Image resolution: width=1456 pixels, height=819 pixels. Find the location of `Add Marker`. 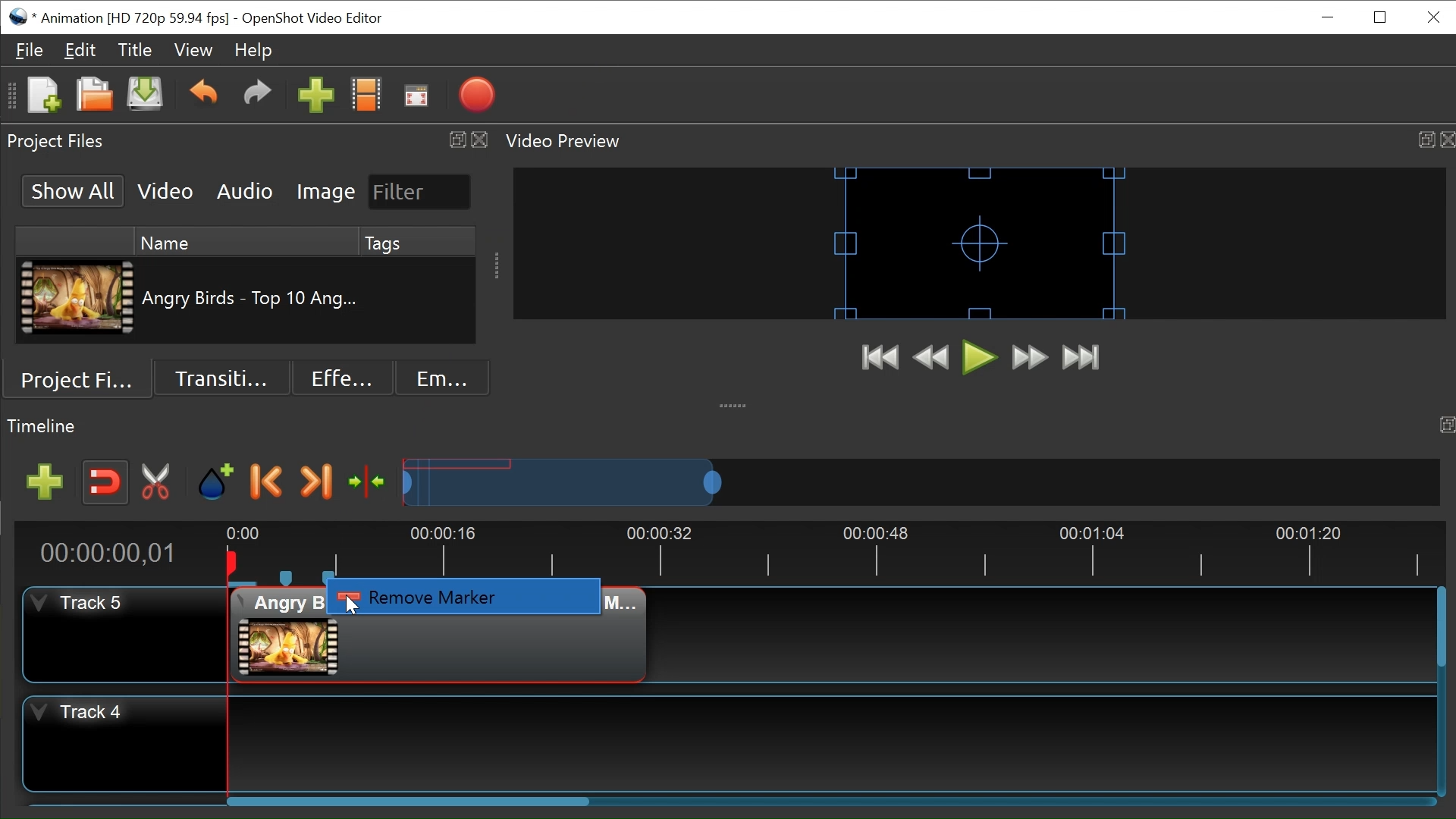

Add Marker is located at coordinates (215, 482).